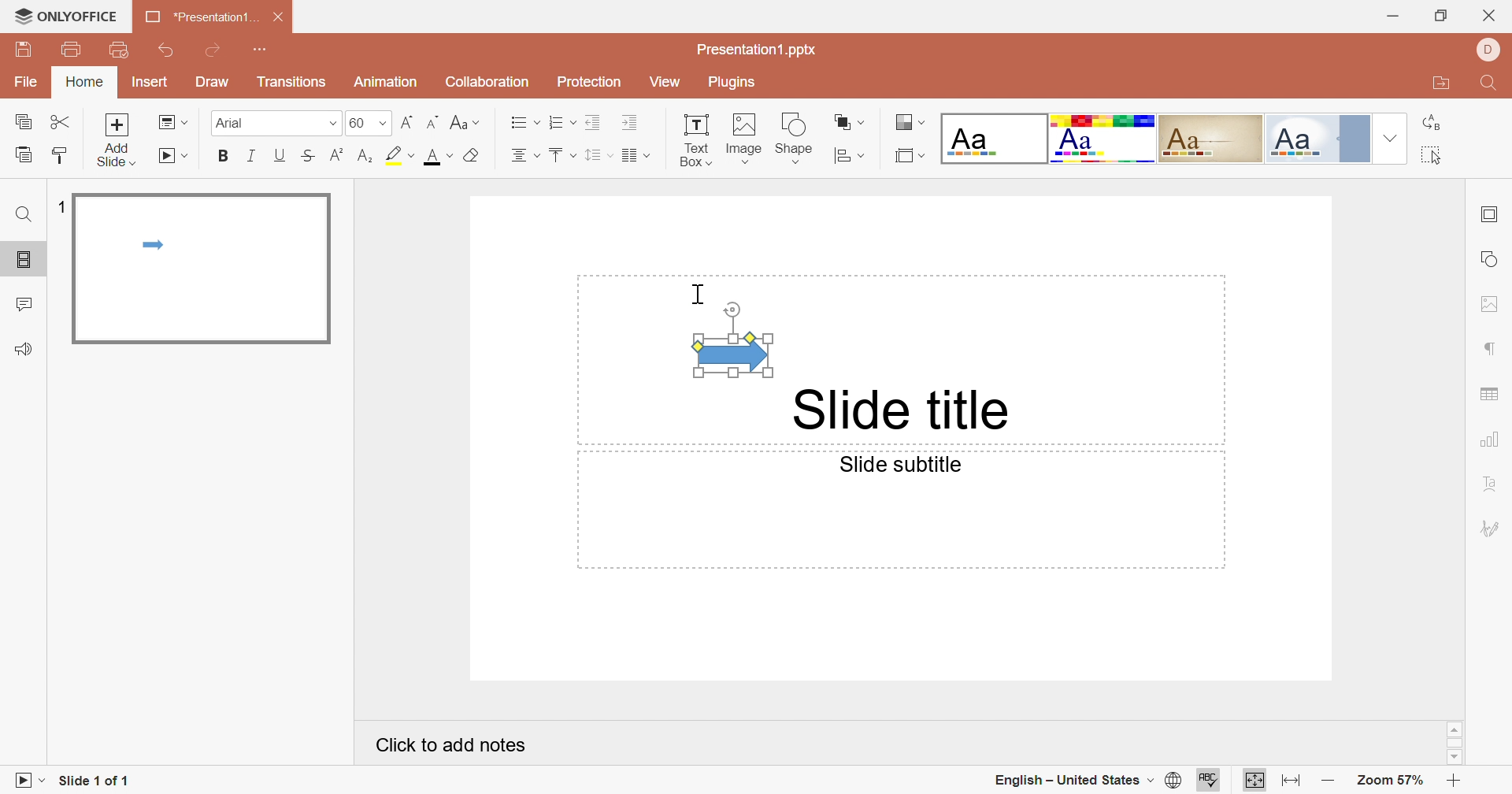 The width and height of the screenshot is (1512, 794). What do you see at coordinates (199, 269) in the screenshot?
I see `Slide` at bounding box center [199, 269].